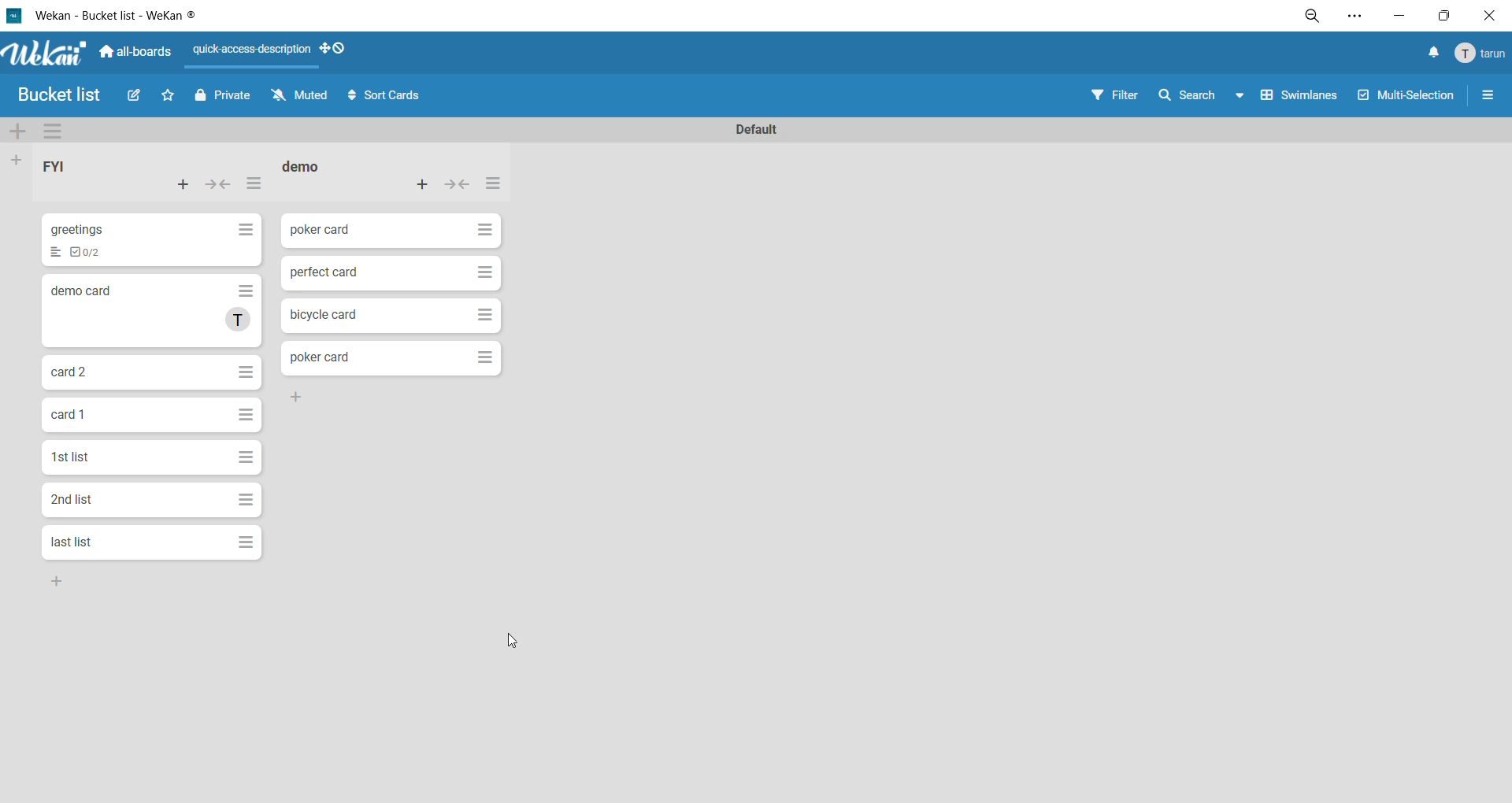 Image resolution: width=1512 pixels, height=803 pixels. What do you see at coordinates (54, 580) in the screenshot?
I see `Add Button` at bounding box center [54, 580].